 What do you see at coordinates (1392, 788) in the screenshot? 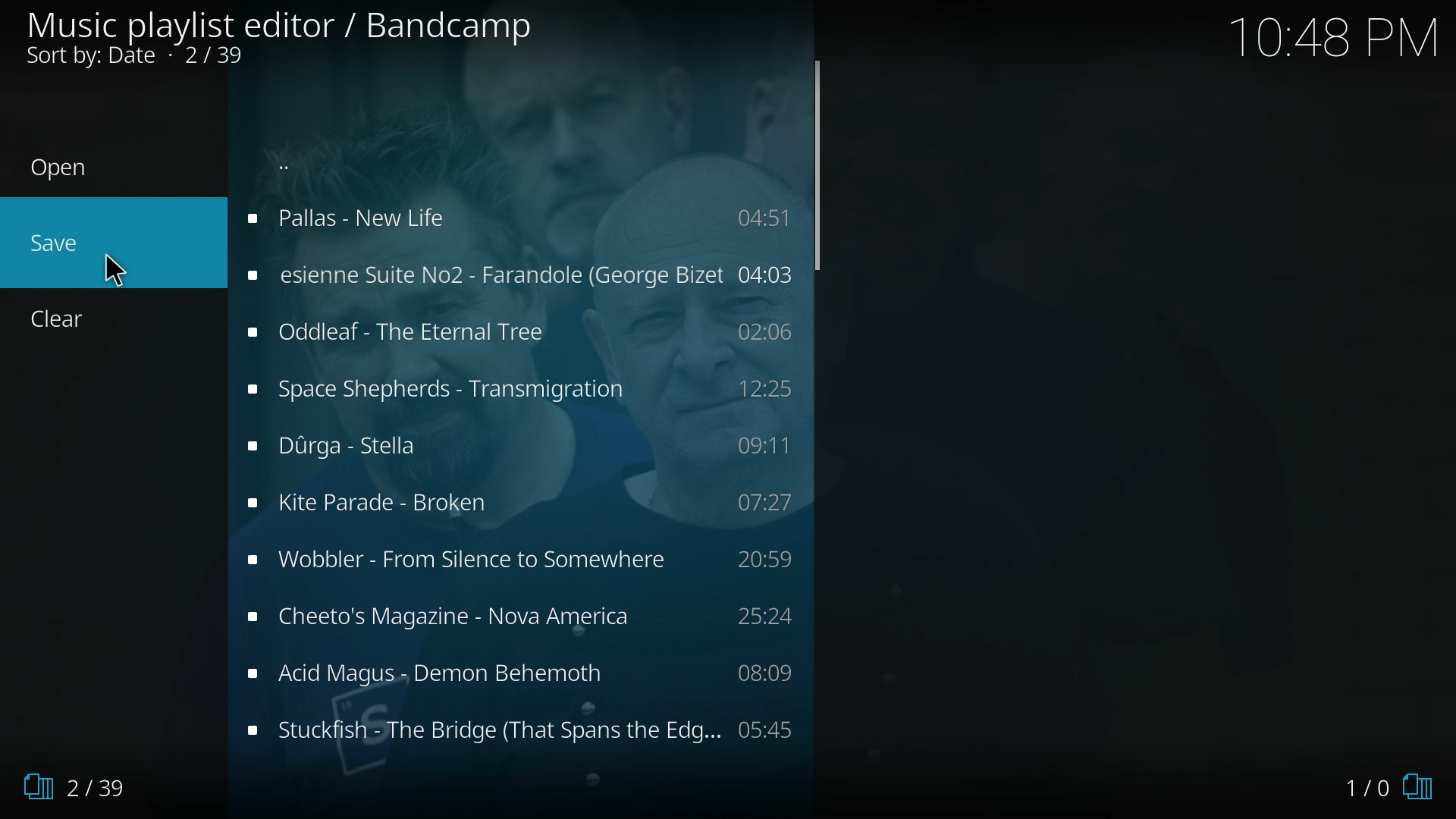
I see `1/0` at bounding box center [1392, 788].